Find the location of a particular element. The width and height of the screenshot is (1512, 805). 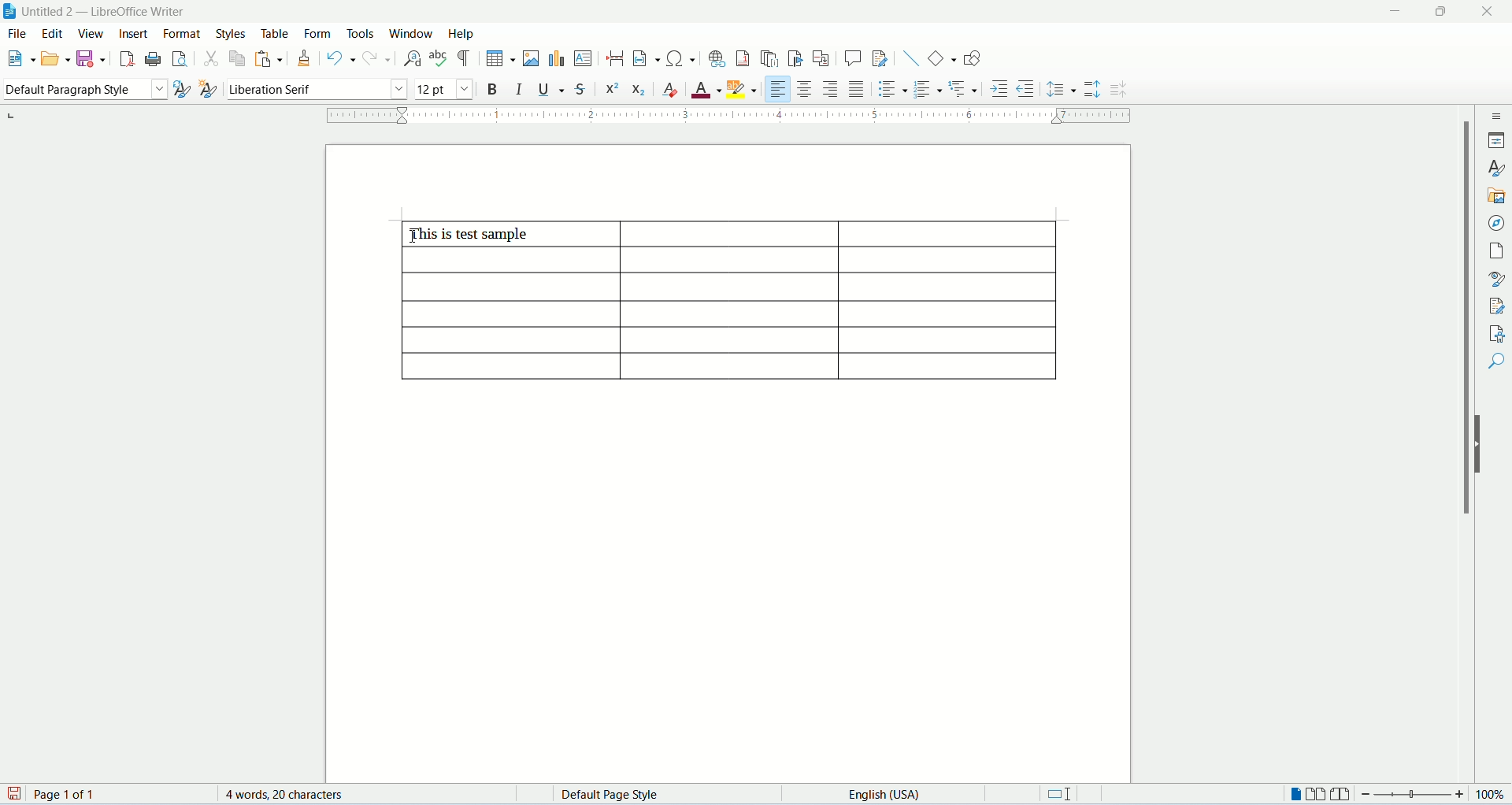

page count is located at coordinates (93, 795).